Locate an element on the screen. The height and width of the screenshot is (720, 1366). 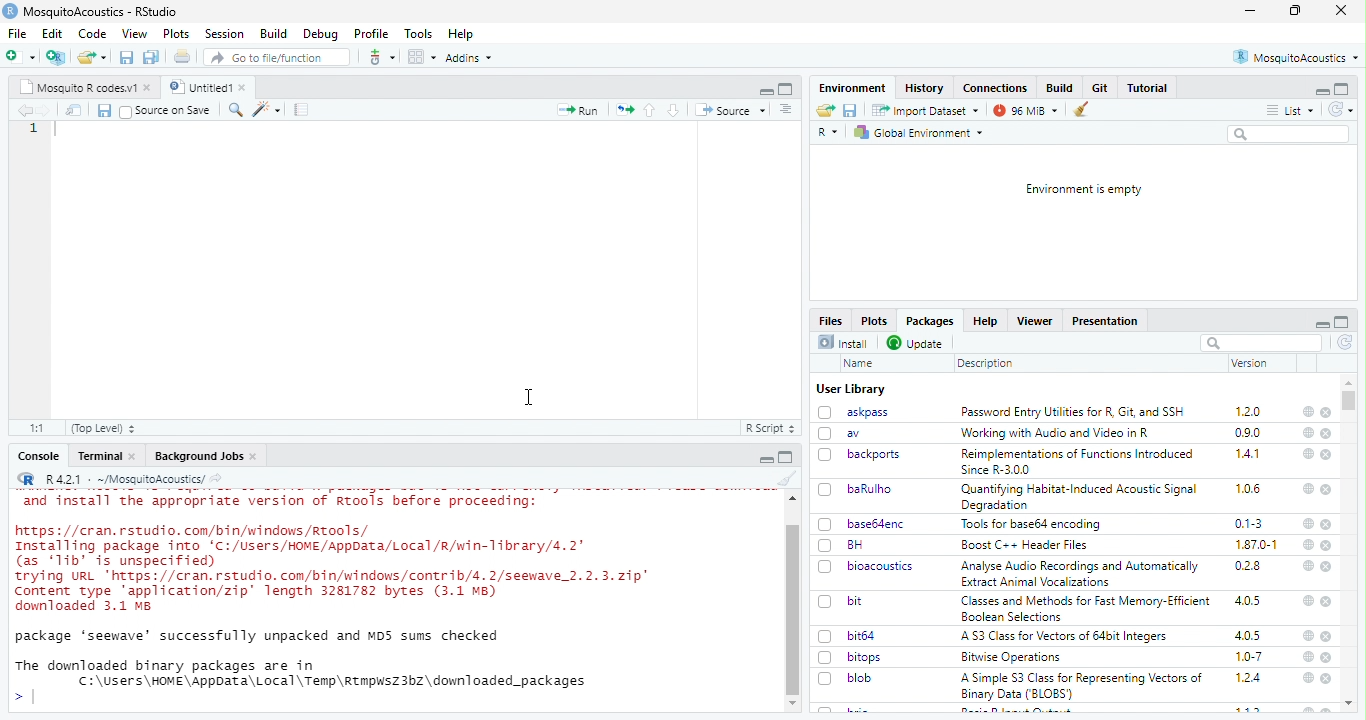
web is located at coordinates (1310, 657).